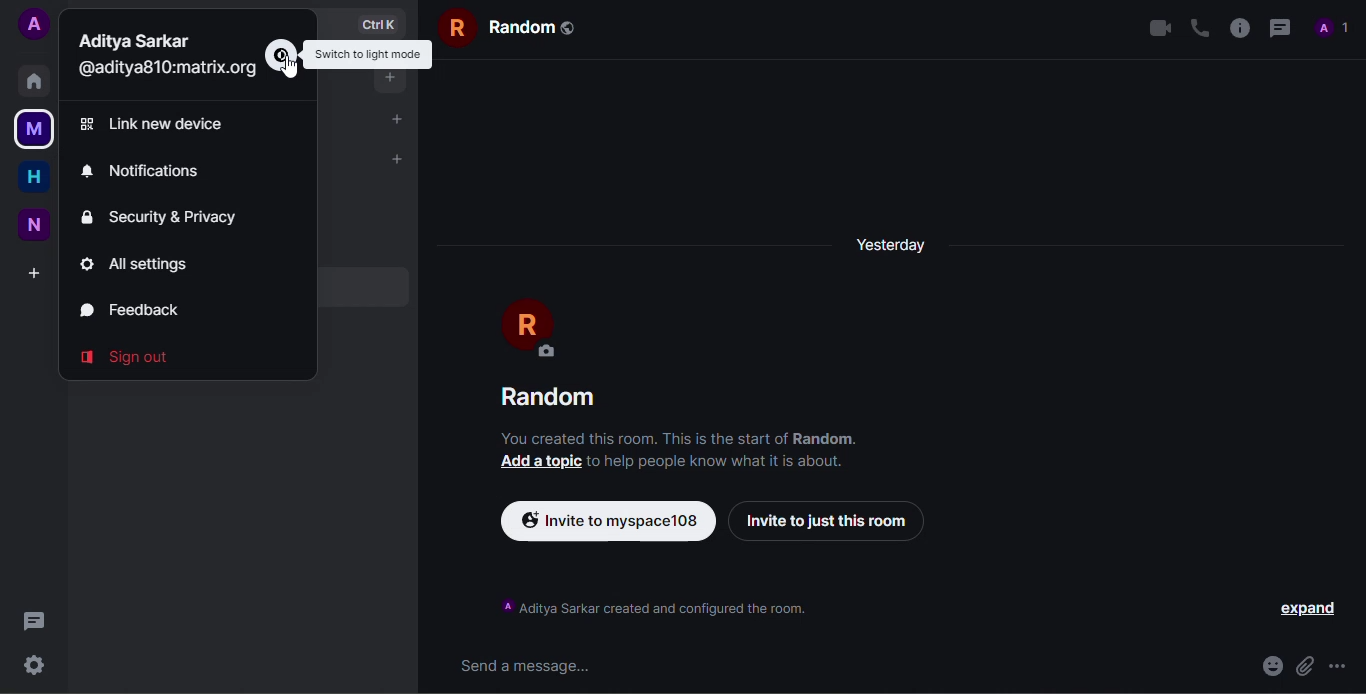 This screenshot has width=1366, height=694. I want to click on voice call, so click(1196, 26).